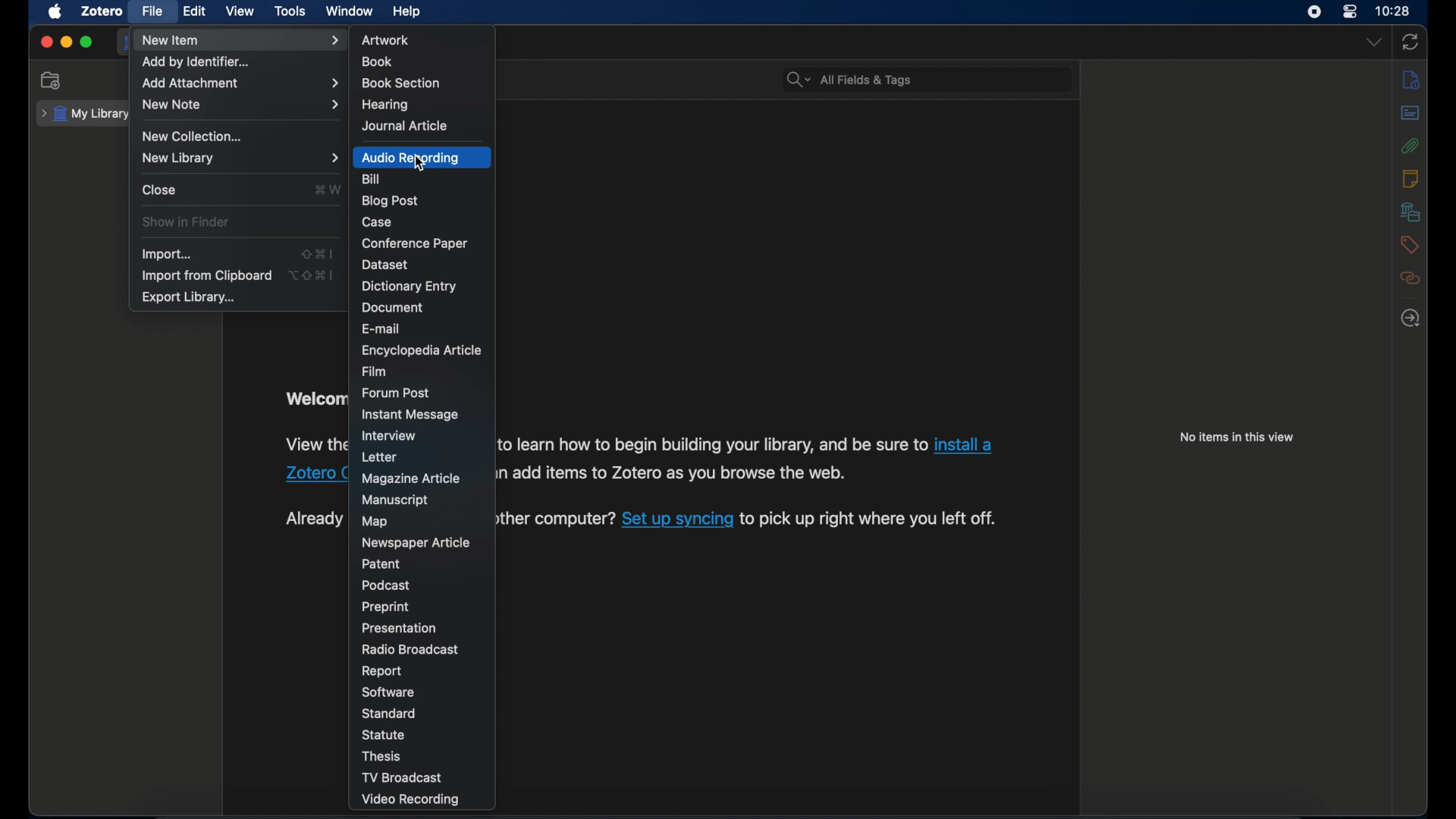  Describe the element at coordinates (409, 649) in the screenshot. I see `radio broadcast` at that location.